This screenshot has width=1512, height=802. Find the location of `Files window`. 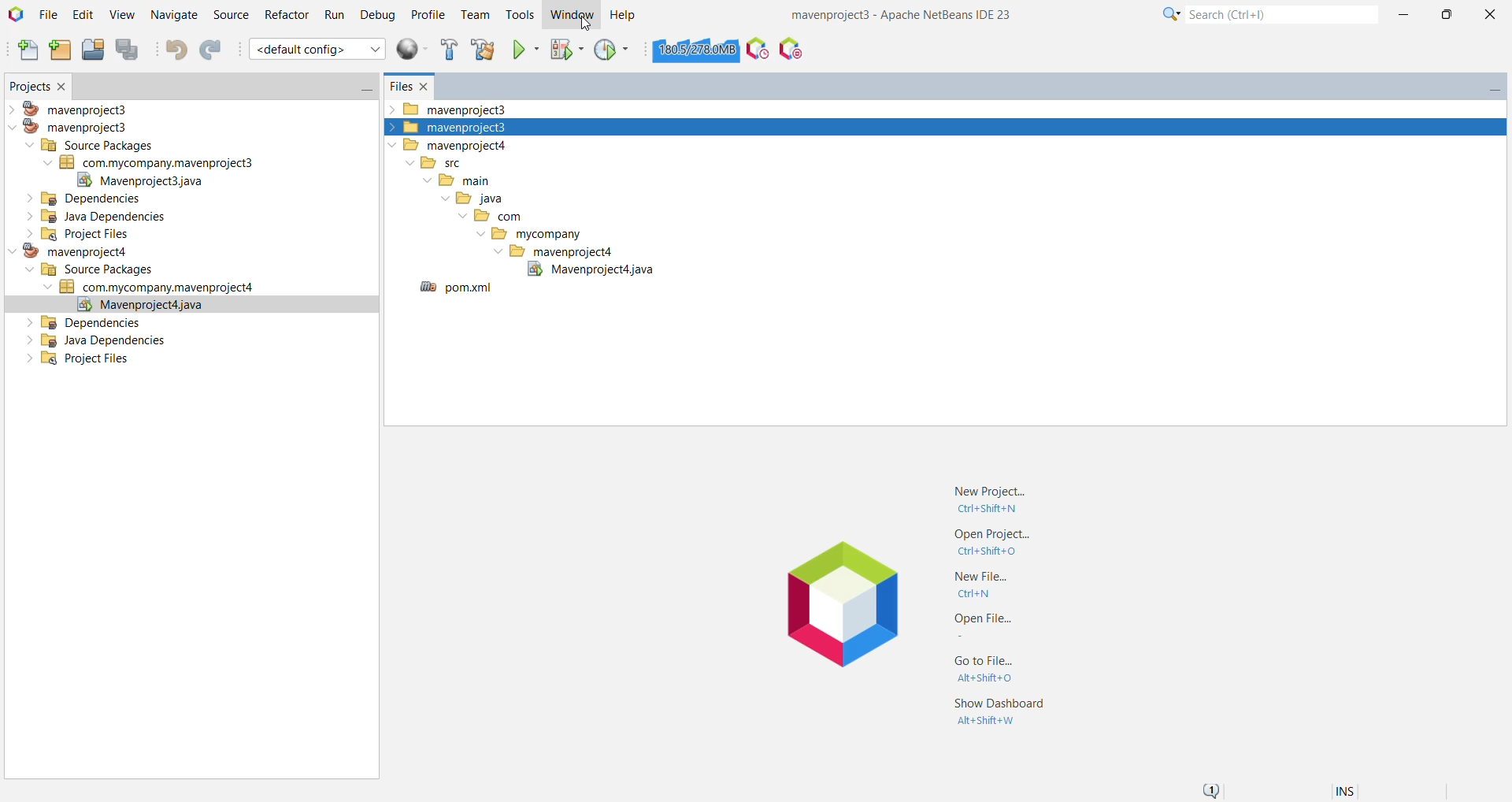

Files window is located at coordinates (399, 87).